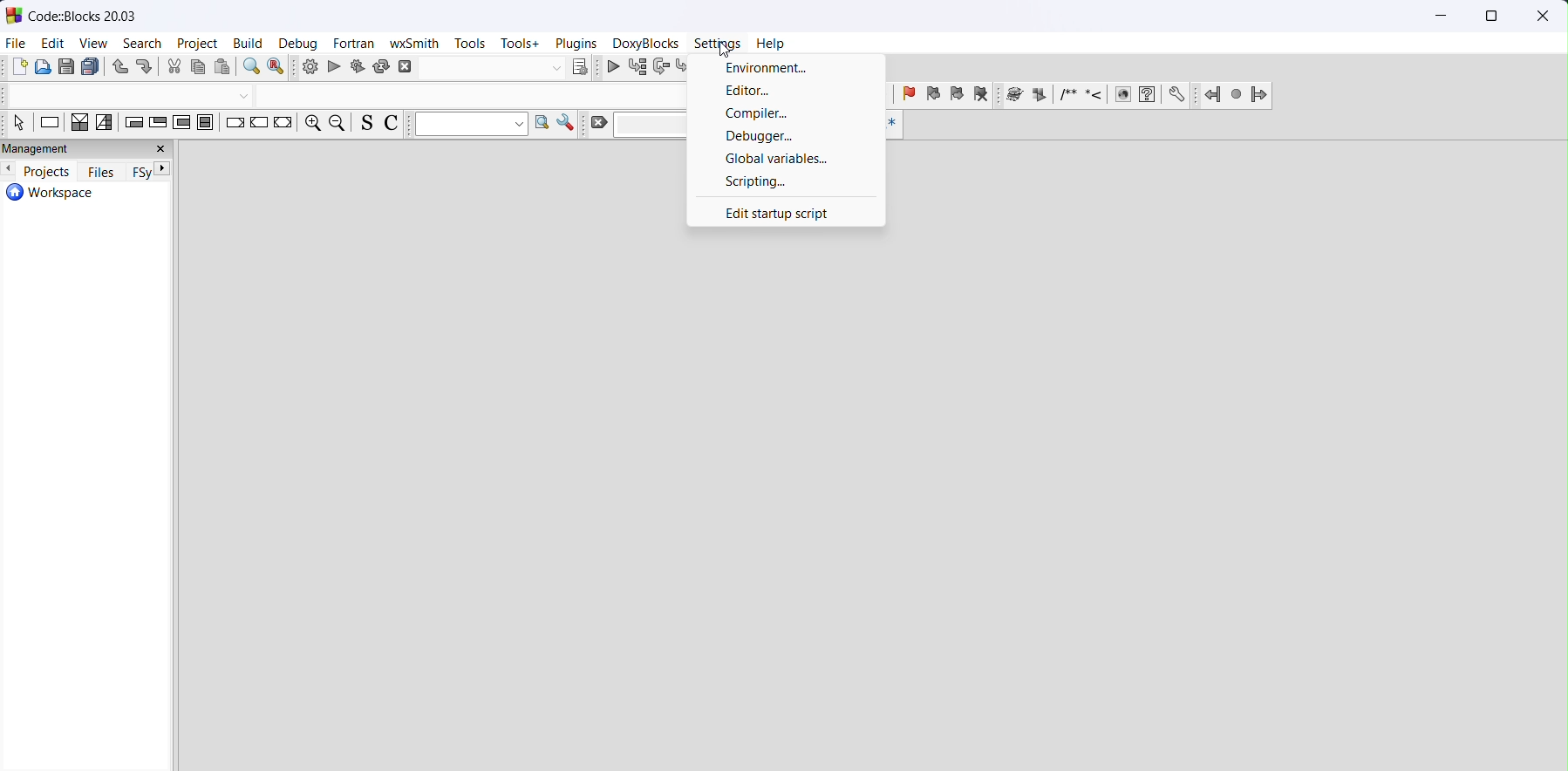  What do you see at coordinates (772, 44) in the screenshot?
I see `help` at bounding box center [772, 44].